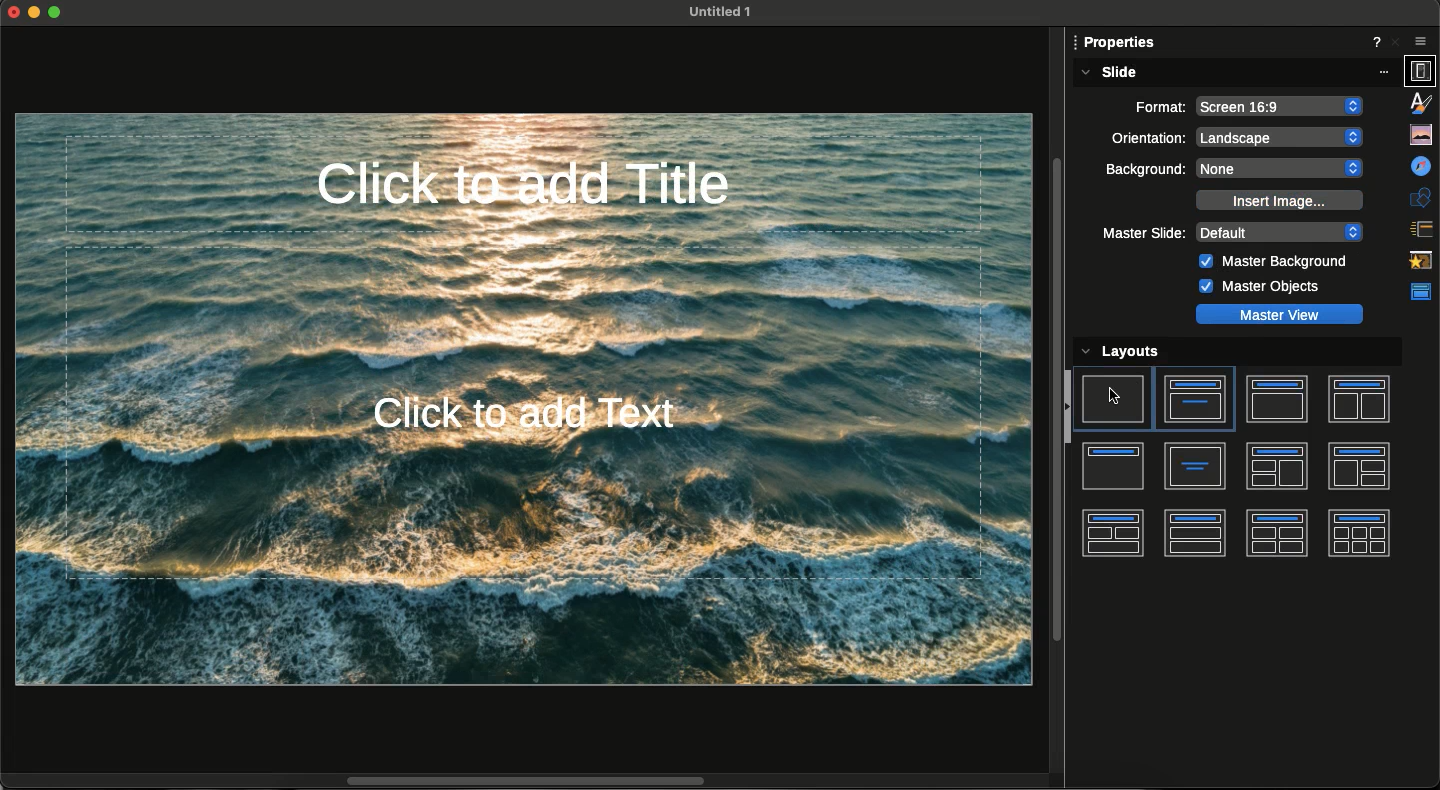 Image resolution: width=1440 pixels, height=790 pixels. What do you see at coordinates (1143, 234) in the screenshot?
I see `Master slide` at bounding box center [1143, 234].